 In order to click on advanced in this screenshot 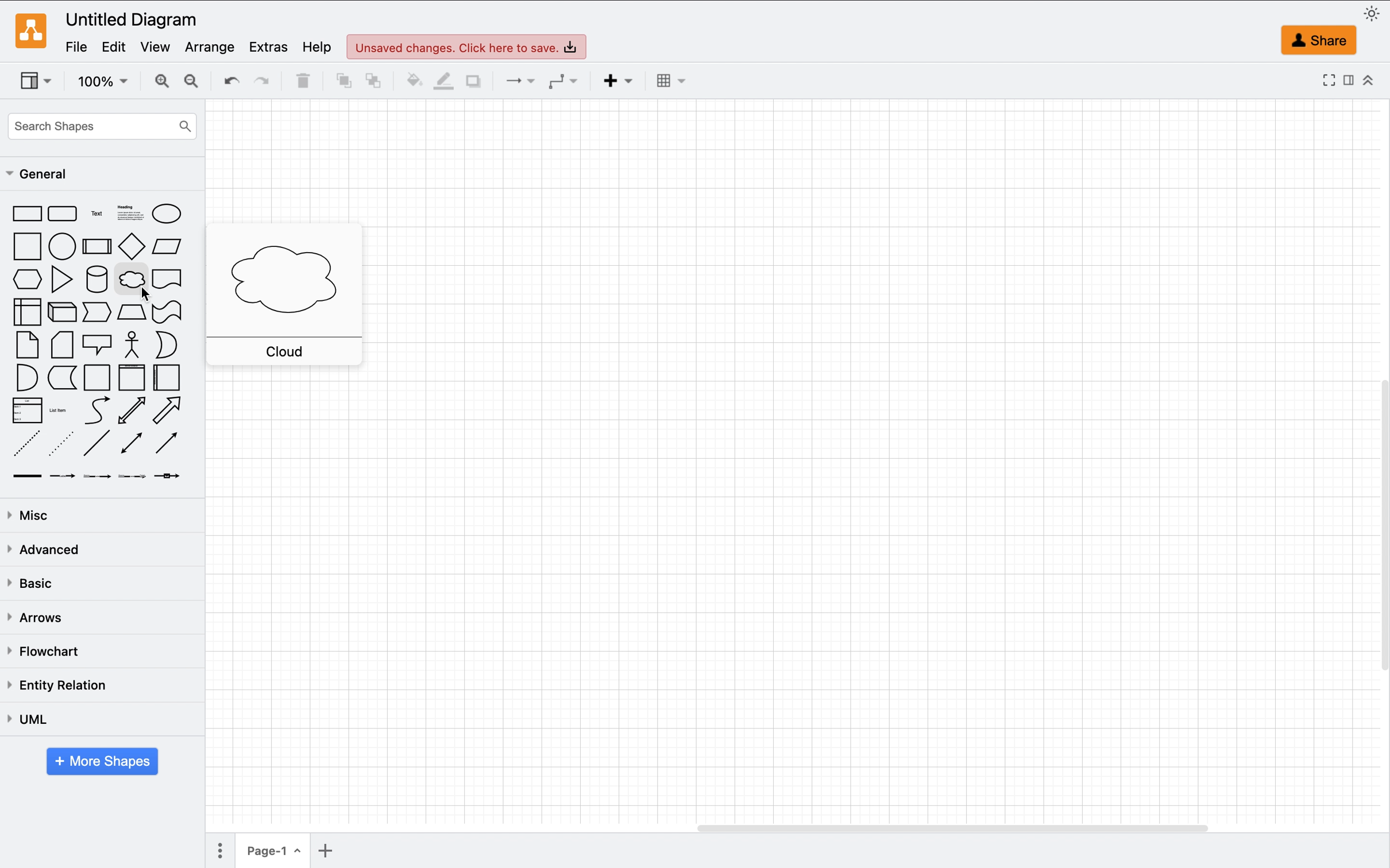, I will do `click(48, 548)`.